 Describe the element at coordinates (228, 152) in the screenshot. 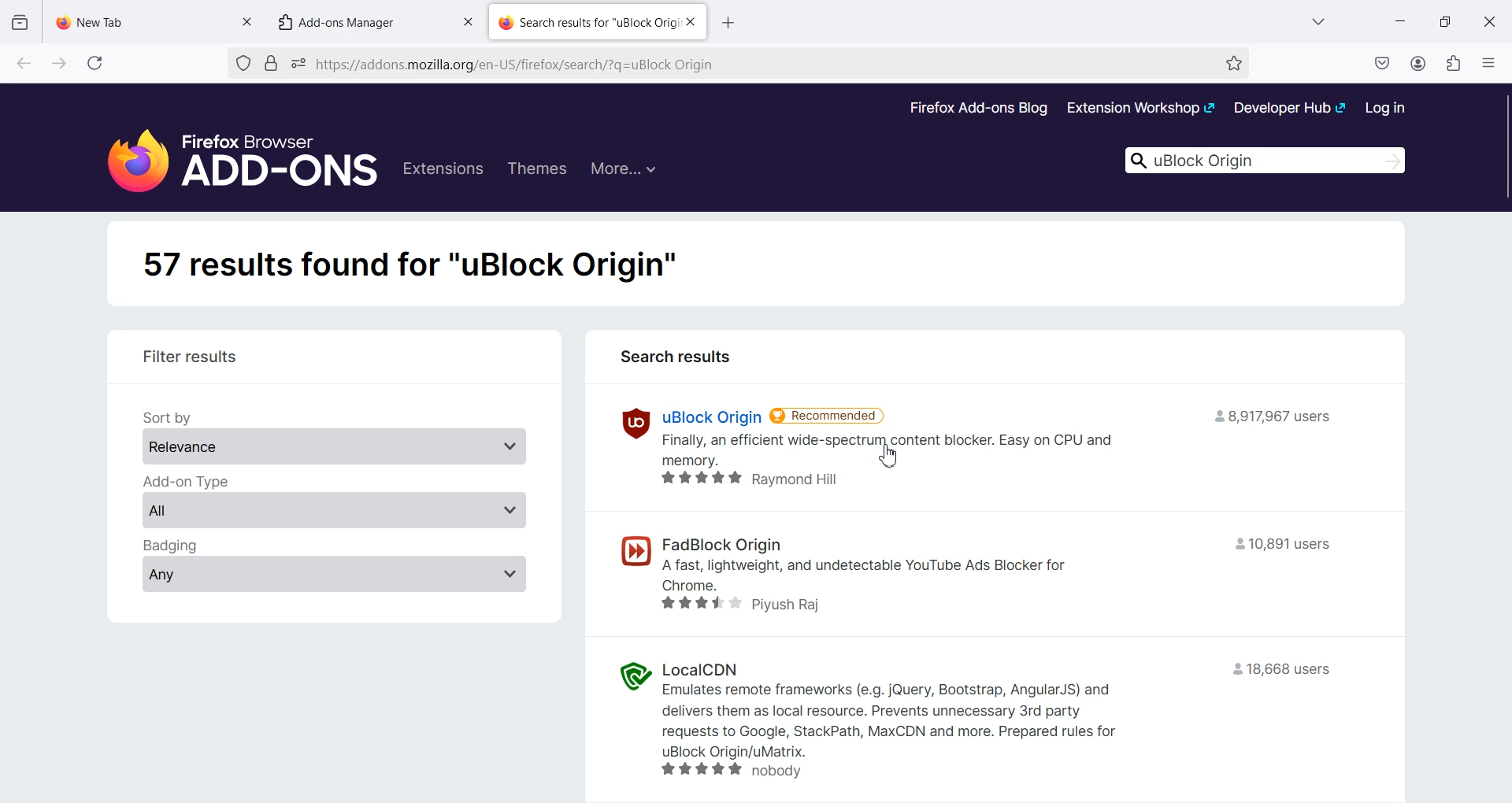

I see `Firefox Browser Add-Ons` at that location.